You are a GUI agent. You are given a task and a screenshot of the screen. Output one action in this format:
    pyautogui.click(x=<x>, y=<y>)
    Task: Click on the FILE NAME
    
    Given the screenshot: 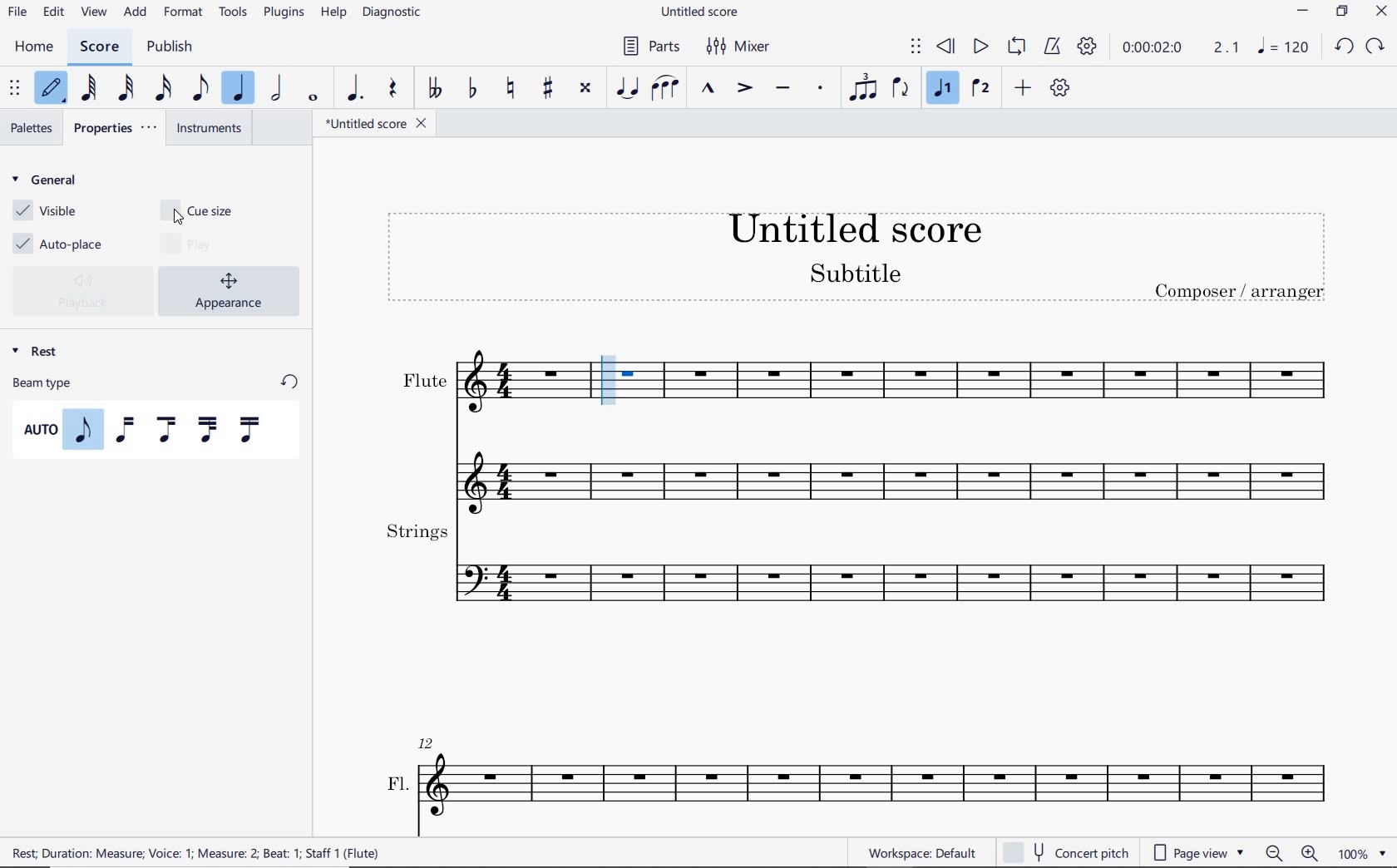 What is the action you would take?
    pyautogui.click(x=704, y=12)
    